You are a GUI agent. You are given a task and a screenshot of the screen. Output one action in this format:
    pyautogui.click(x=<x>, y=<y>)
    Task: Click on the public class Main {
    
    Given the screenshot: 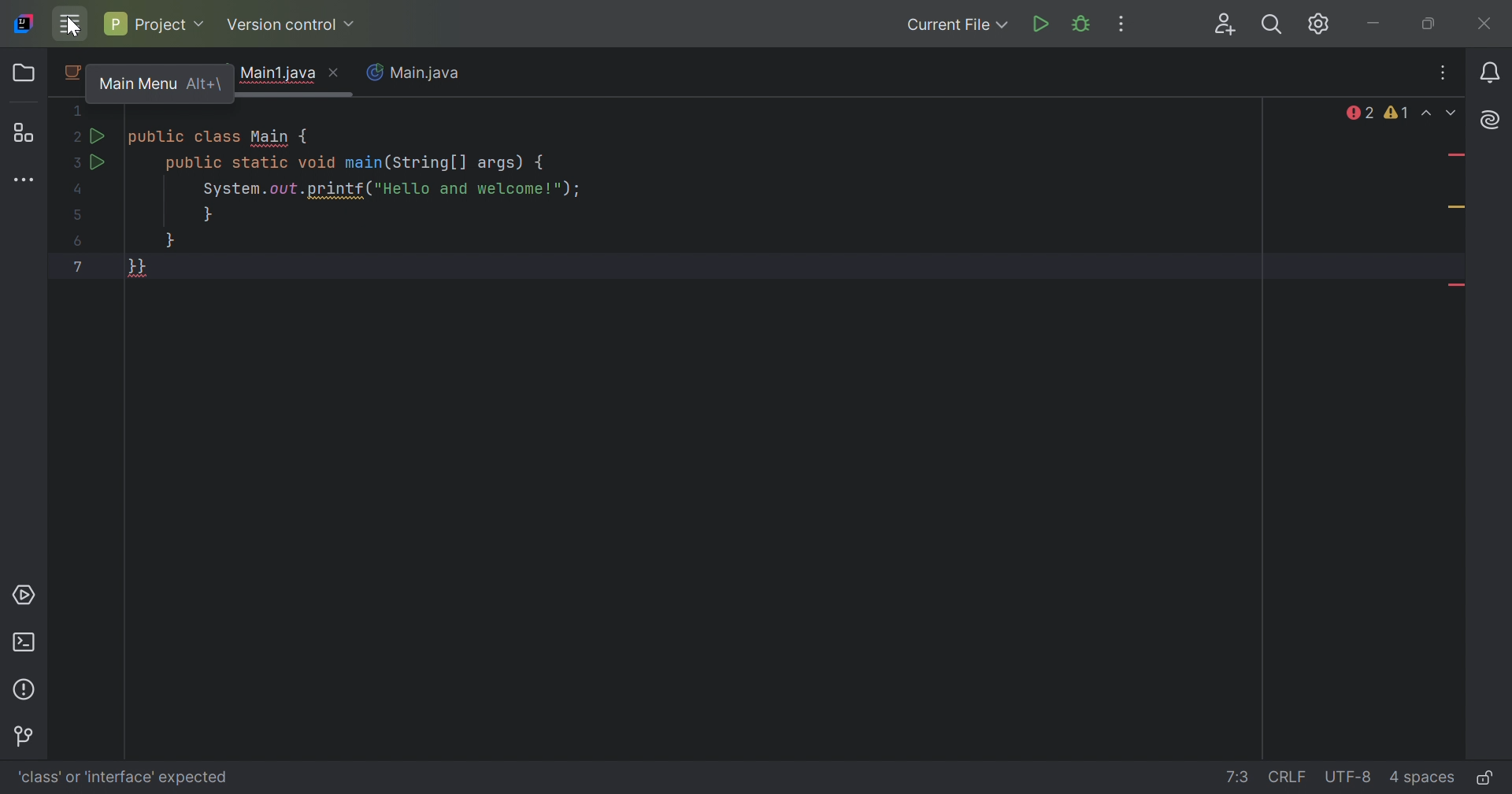 What is the action you would take?
    pyautogui.click(x=220, y=135)
    